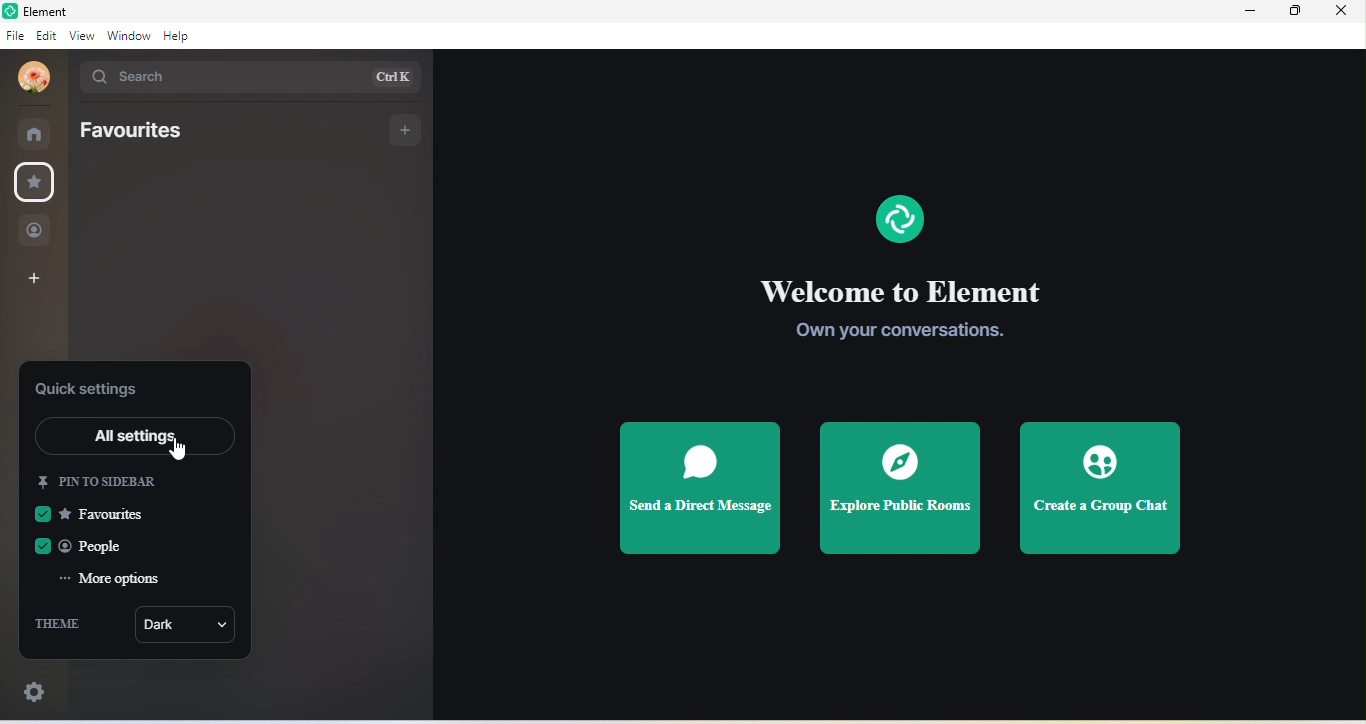 The image size is (1366, 724). What do you see at coordinates (69, 77) in the screenshot?
I see `drop down` at bounding box center [69, 77].